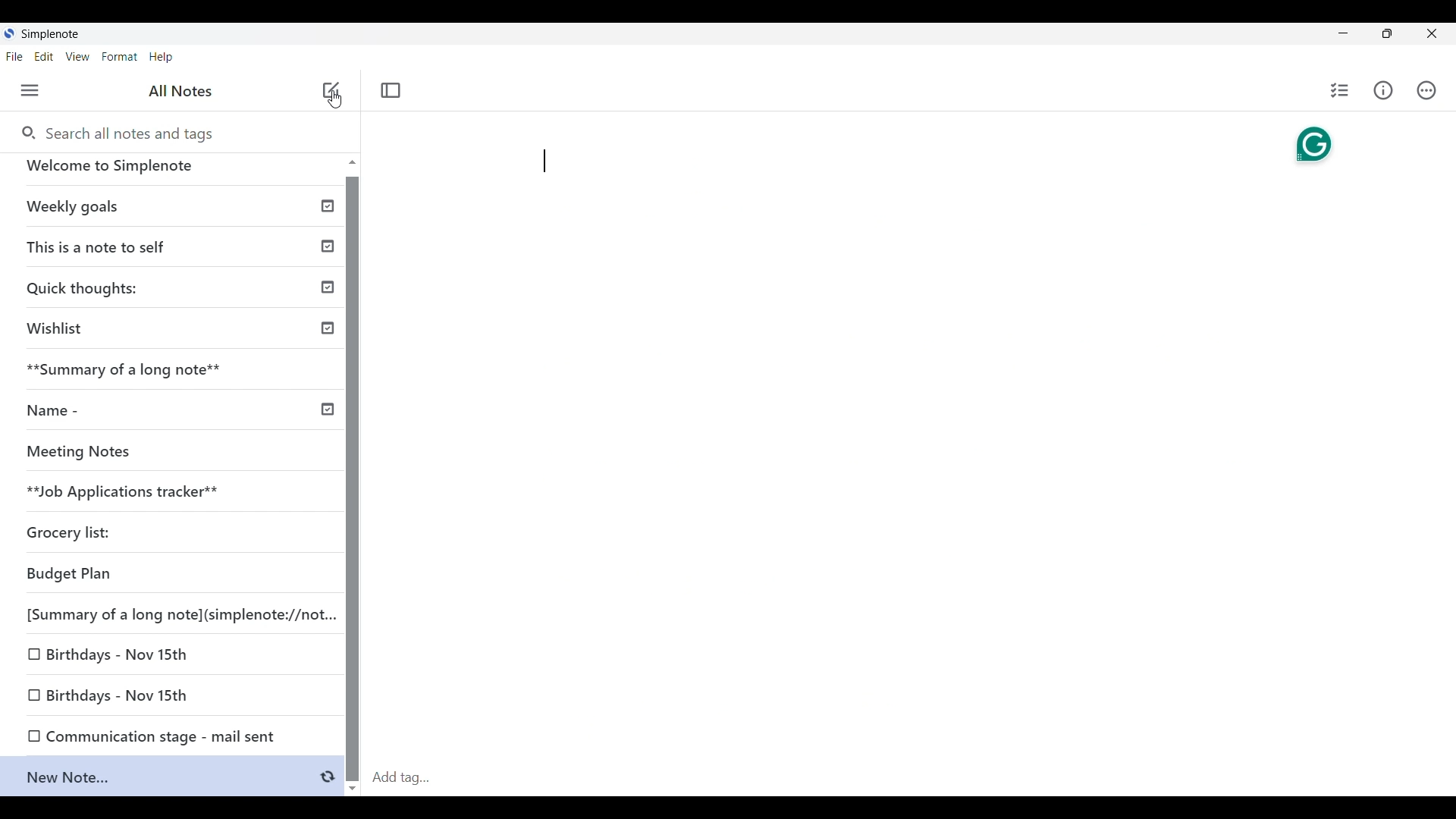 Image resolution: width=1456 pixels, height=819 pixels. Describe the element at coordinates (1426, 90) in the screenshot. I see `Actions` at that location.